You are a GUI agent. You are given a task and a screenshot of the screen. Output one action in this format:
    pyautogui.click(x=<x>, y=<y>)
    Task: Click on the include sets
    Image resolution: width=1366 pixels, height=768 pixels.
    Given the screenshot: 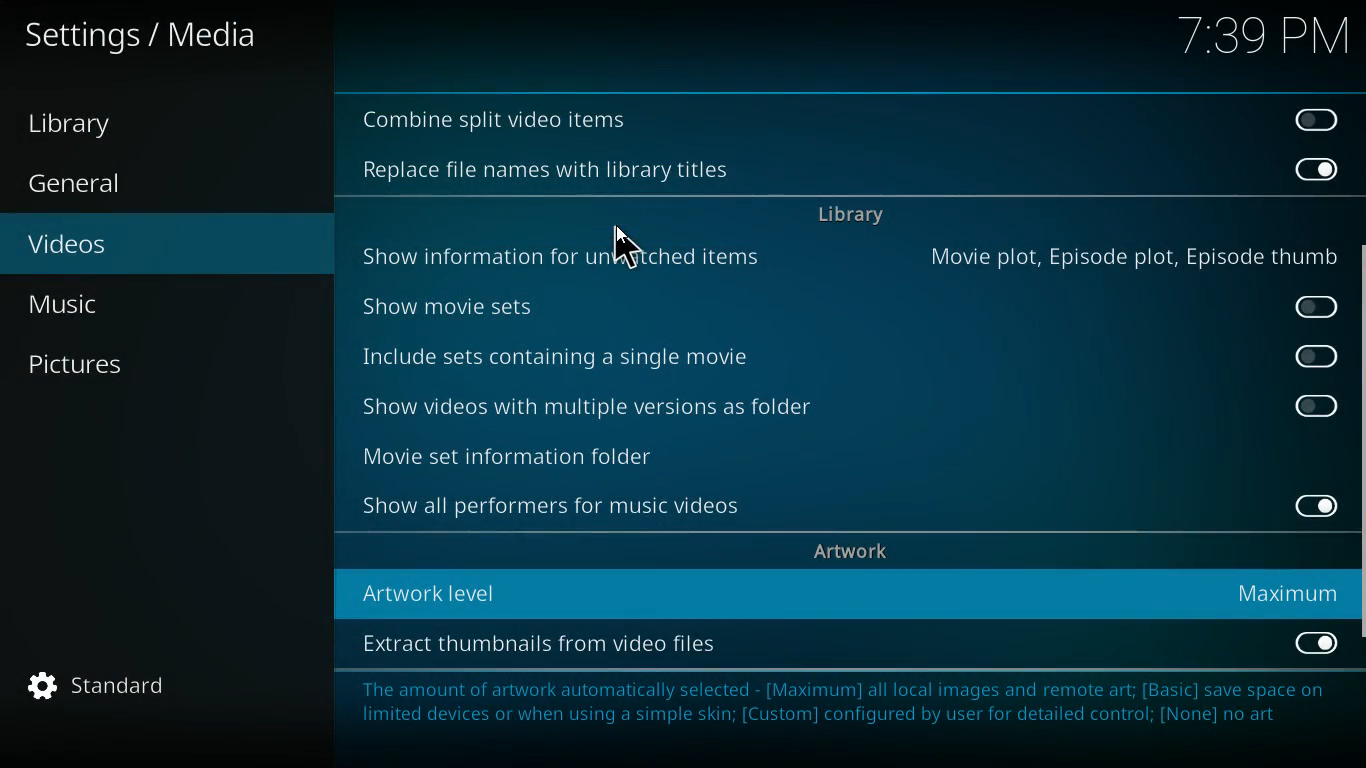 What is the action you would take?
    pyautogui.click(x=596, y=359)
    